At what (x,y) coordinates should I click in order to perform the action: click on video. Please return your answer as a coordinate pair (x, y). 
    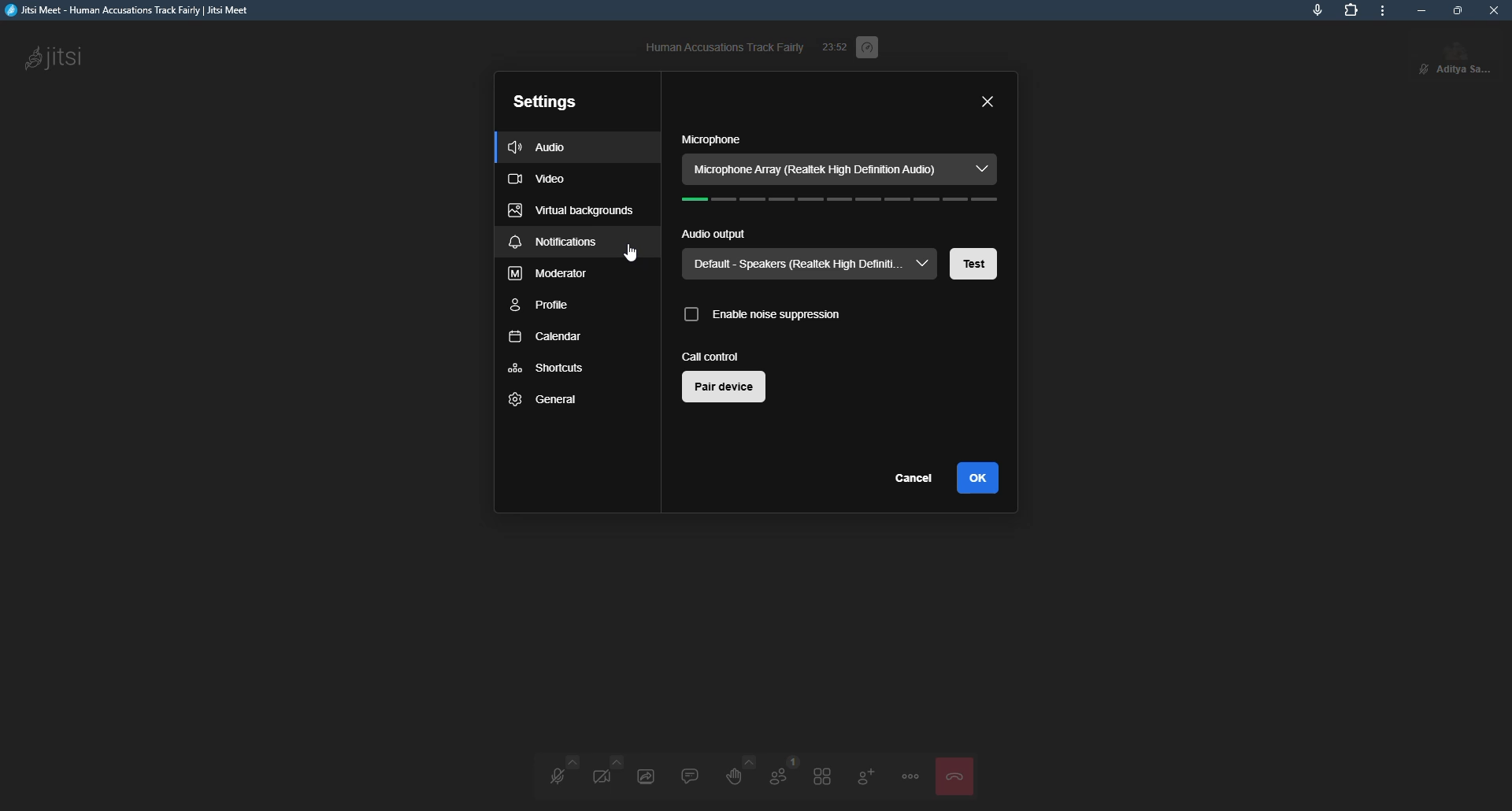
    Looking at the image, I should click on (540, 179).